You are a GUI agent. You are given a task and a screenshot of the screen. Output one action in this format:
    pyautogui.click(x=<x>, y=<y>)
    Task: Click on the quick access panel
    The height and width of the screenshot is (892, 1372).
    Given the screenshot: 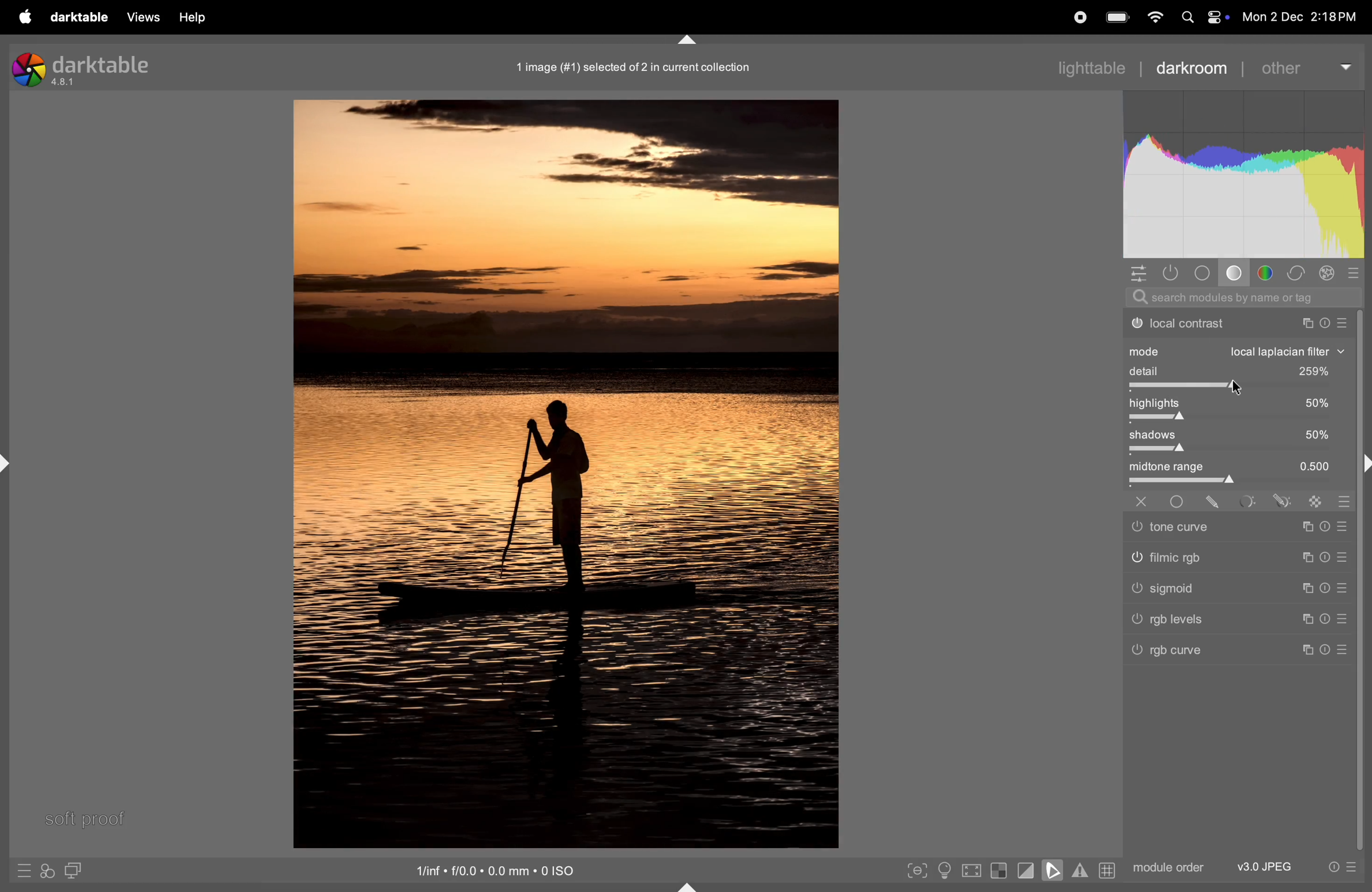 What is the action you would take?
    pyautogui.click(x=1136, y=273)
    